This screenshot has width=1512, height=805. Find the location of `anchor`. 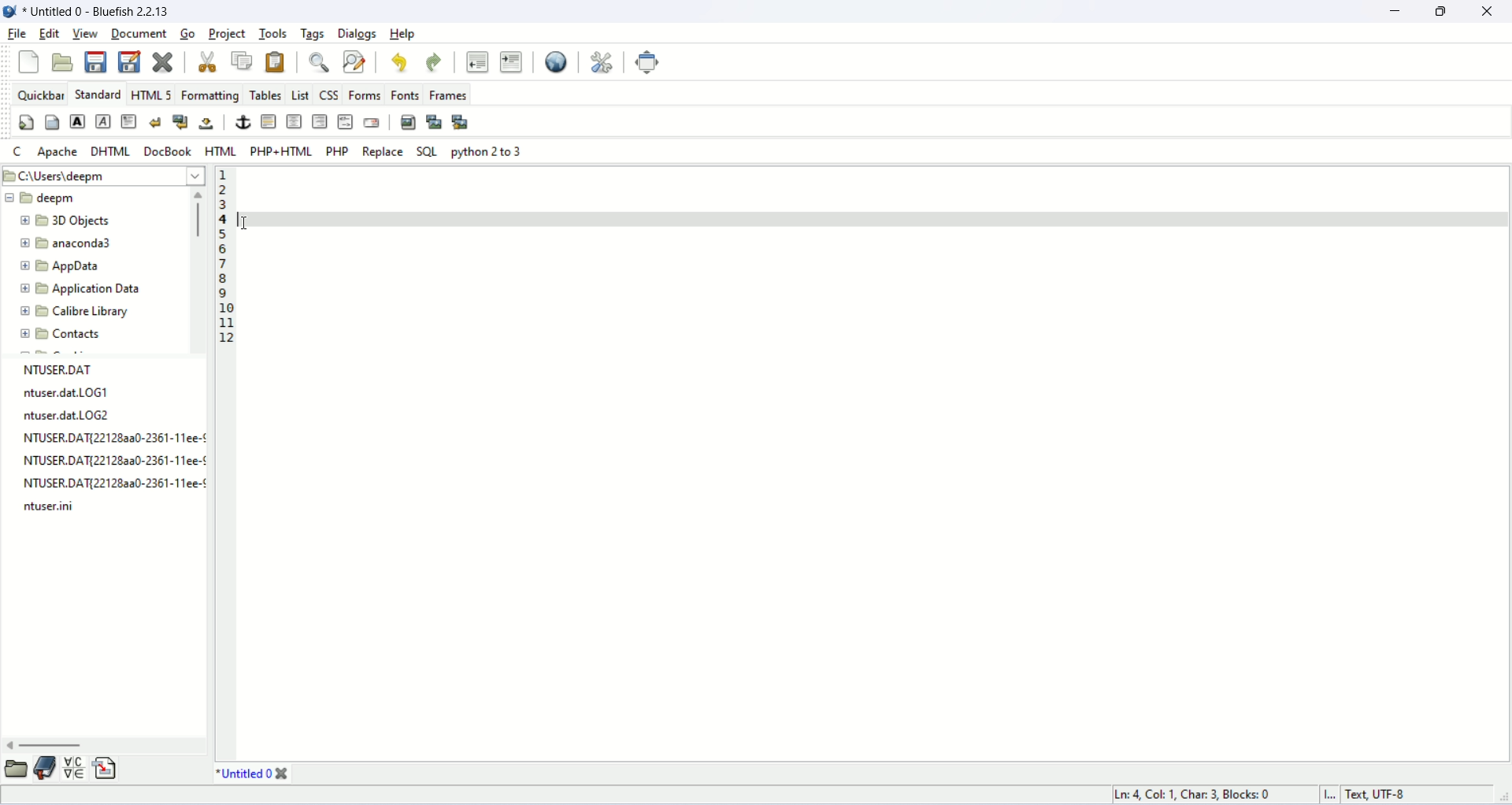

anchor is located at coordinates (243, 122).